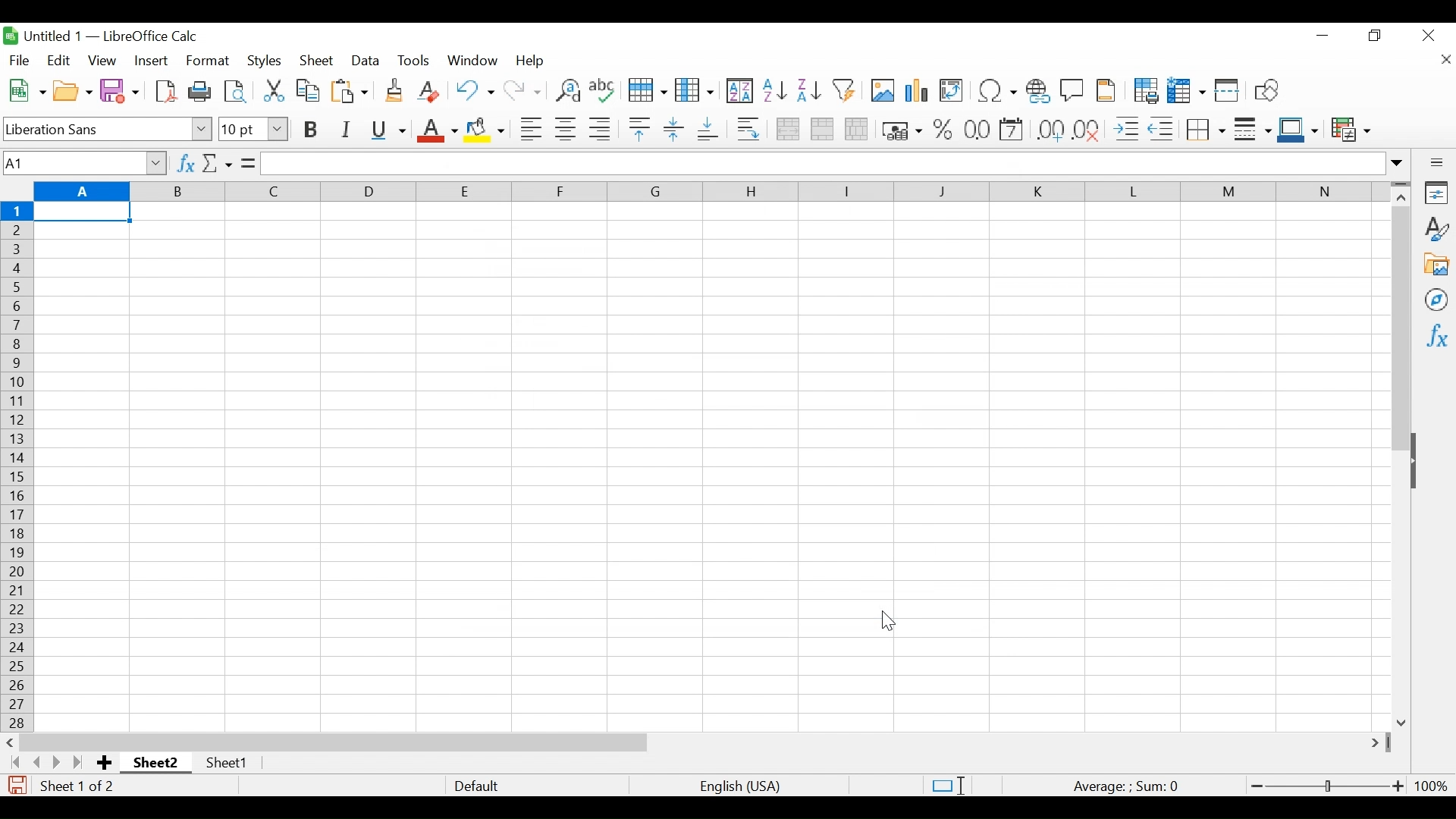 Image resolution: width=1456 pixels, height=819 pixels. I want to click on , so click(712, 466).